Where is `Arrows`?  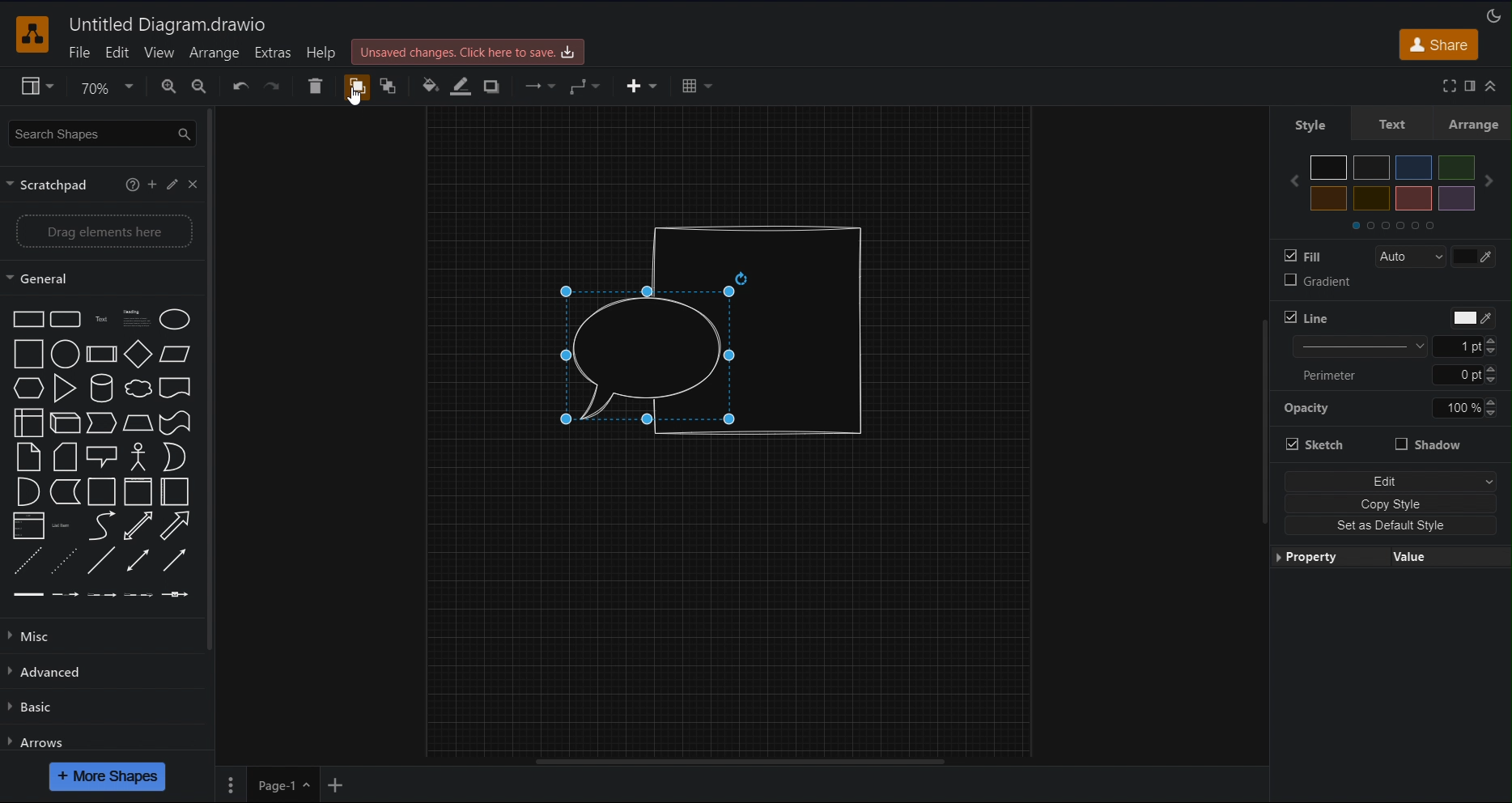 Arrows is located at coordinates (103, 737).